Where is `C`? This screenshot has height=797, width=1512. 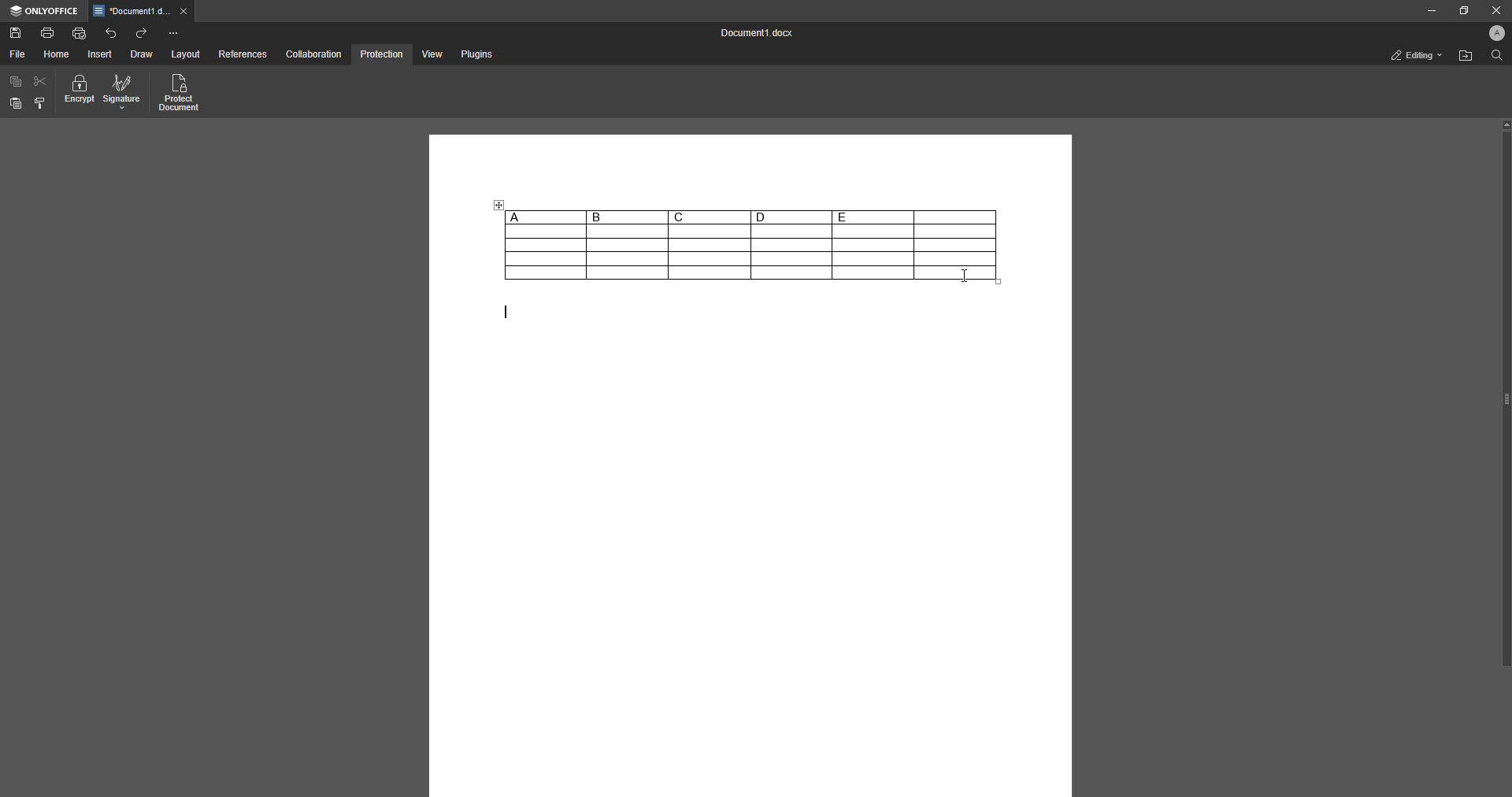 C is located at coordinates (709, 217).